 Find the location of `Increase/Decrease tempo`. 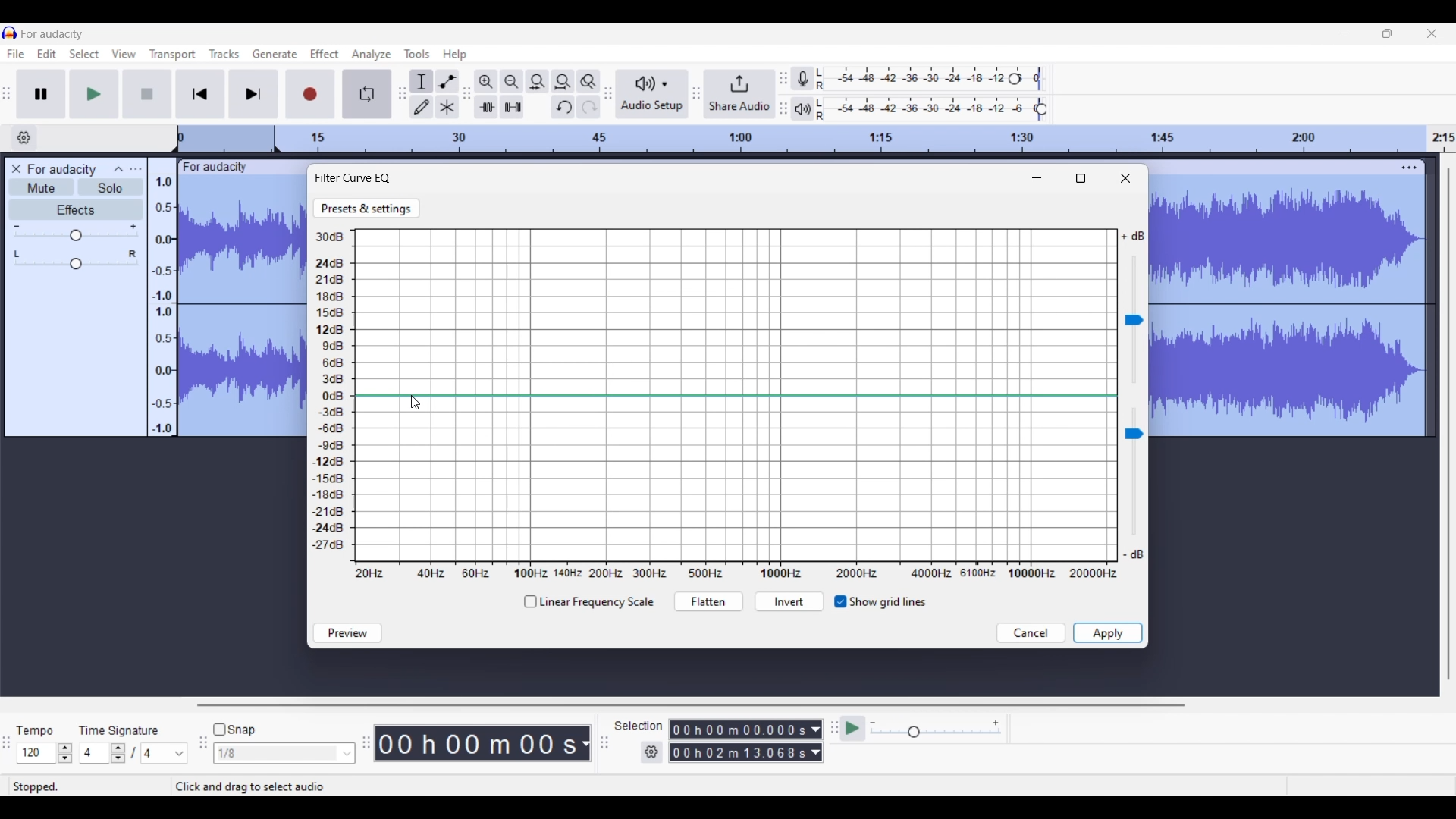

Increase/Decrease tempo is located at coordinates (65, 753).